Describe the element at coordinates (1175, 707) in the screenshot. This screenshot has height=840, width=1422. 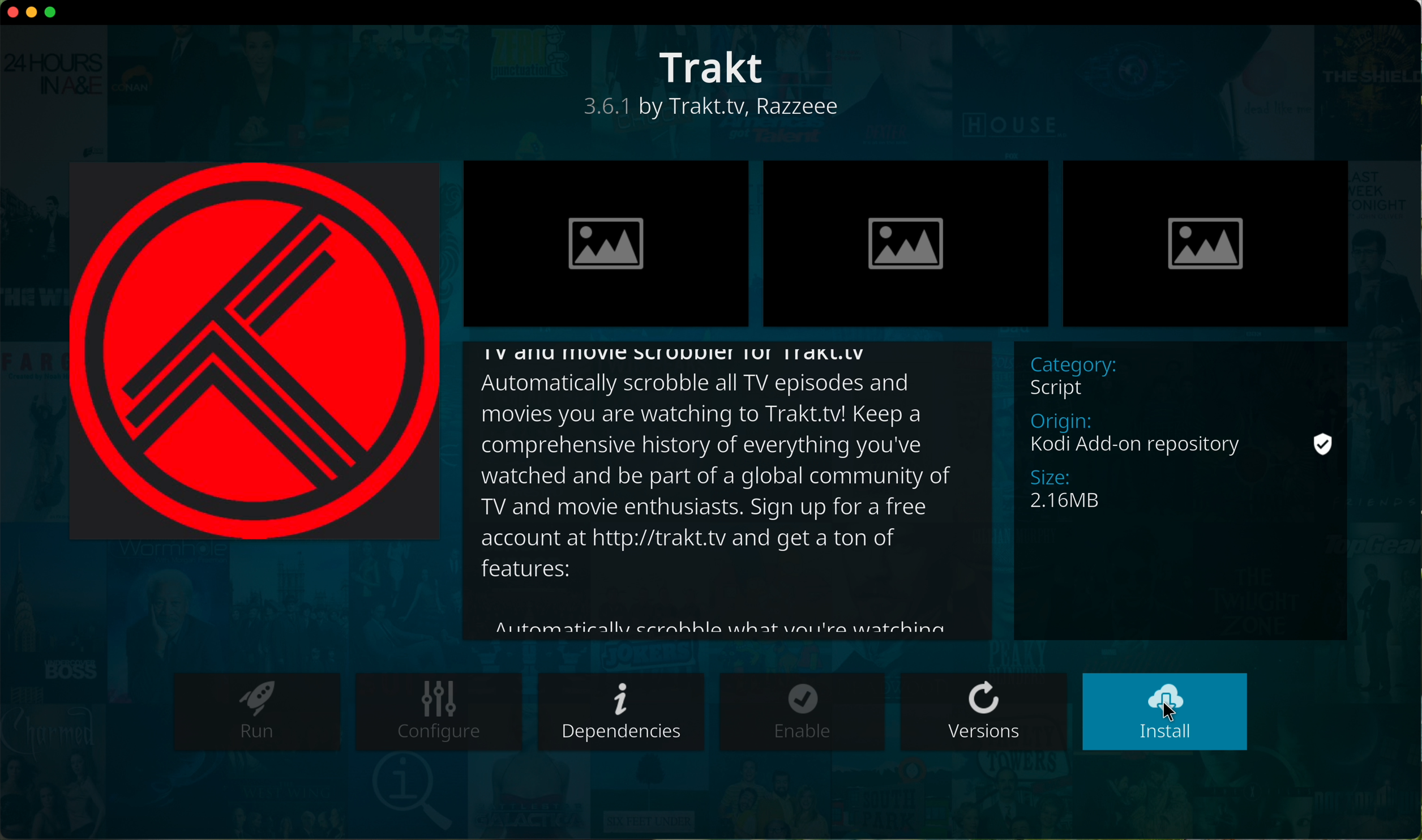
I see `cursor` at that location.